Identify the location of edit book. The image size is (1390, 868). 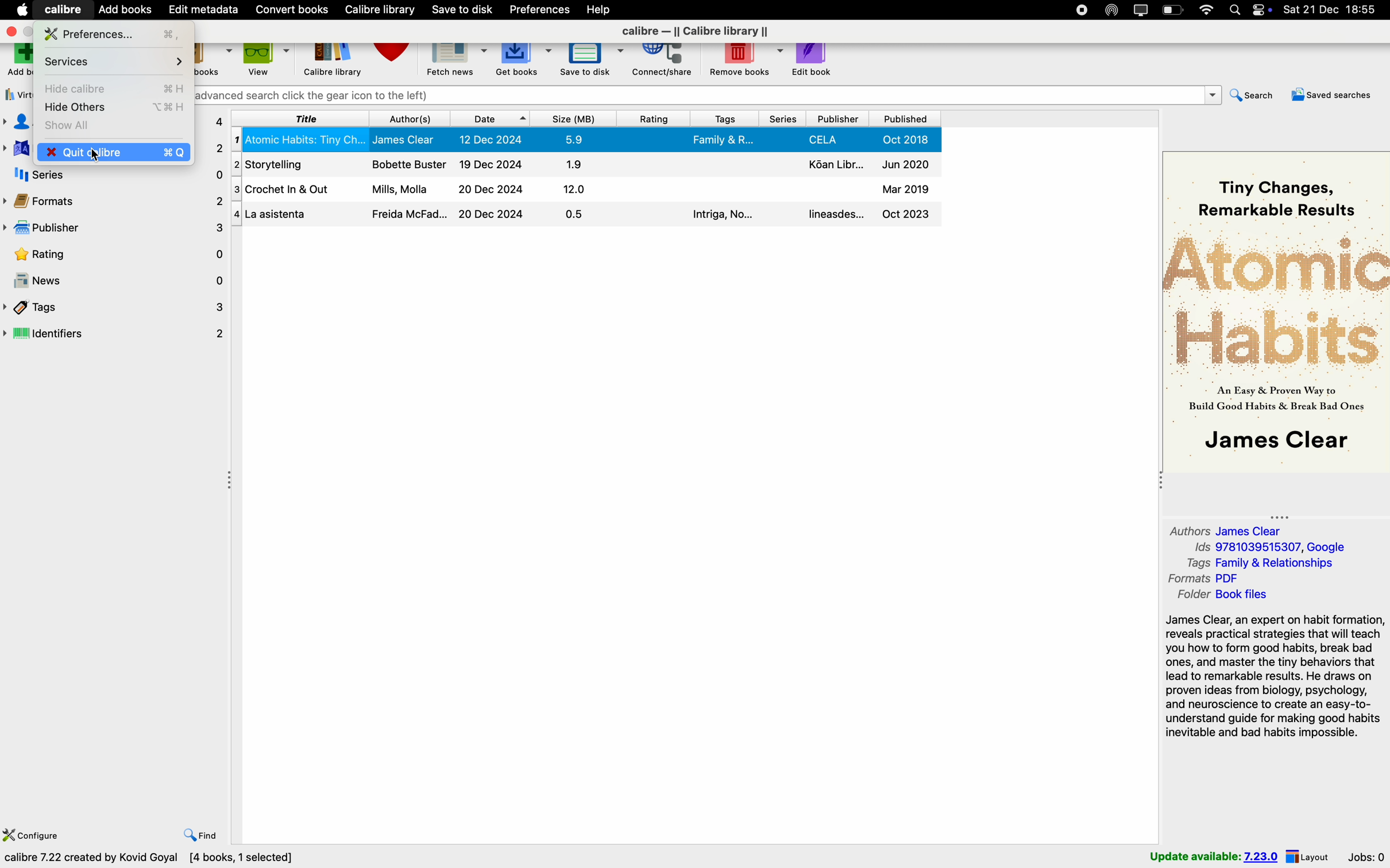
(814, 60).